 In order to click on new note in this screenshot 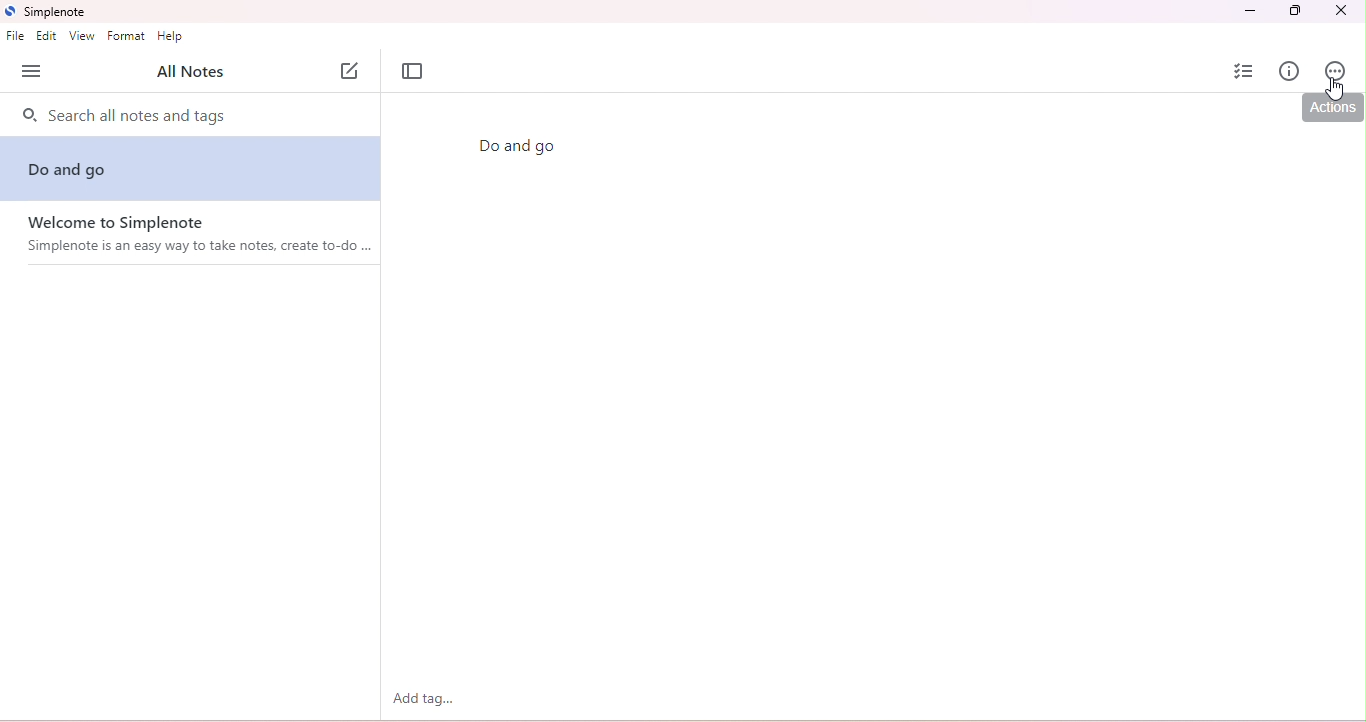, I will do `click(352, 71)`.